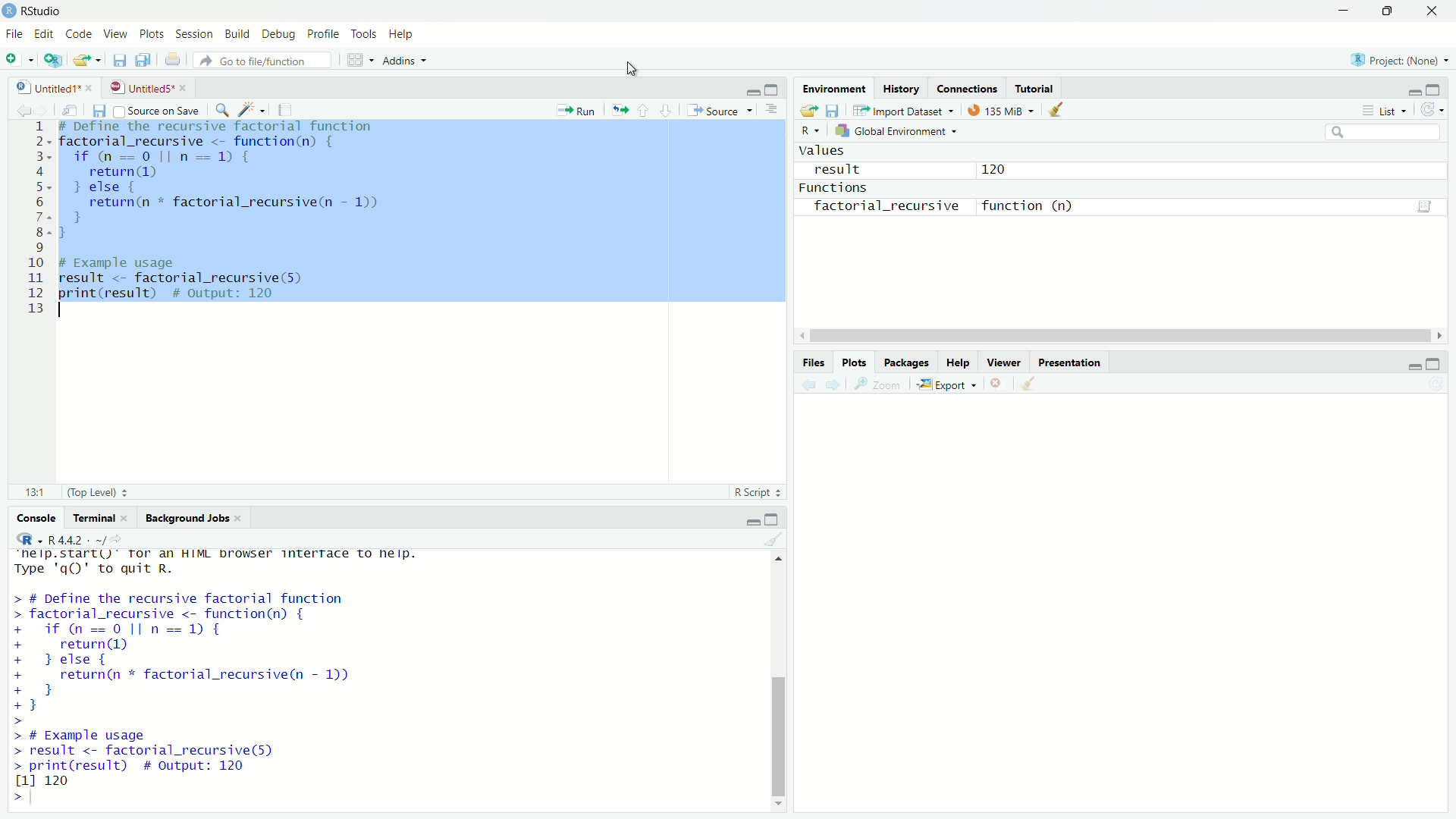 The height and width of the screenshot is (819, 1456). What do you see at coordinates (756, 492) in the screenshot?
I see `R Script` at bounding box center [756, 492].